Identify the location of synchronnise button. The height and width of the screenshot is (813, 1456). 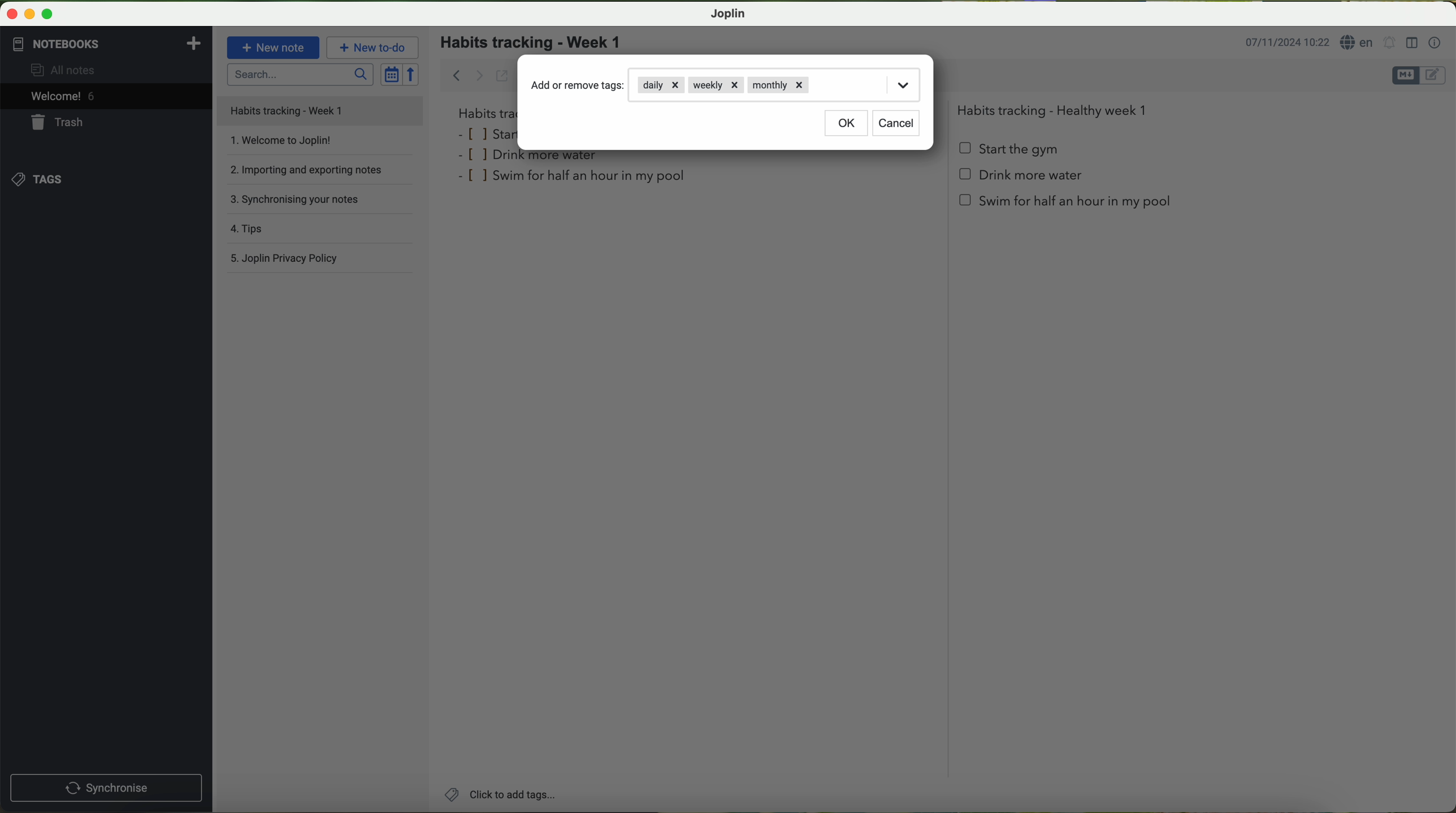
(105, 789).